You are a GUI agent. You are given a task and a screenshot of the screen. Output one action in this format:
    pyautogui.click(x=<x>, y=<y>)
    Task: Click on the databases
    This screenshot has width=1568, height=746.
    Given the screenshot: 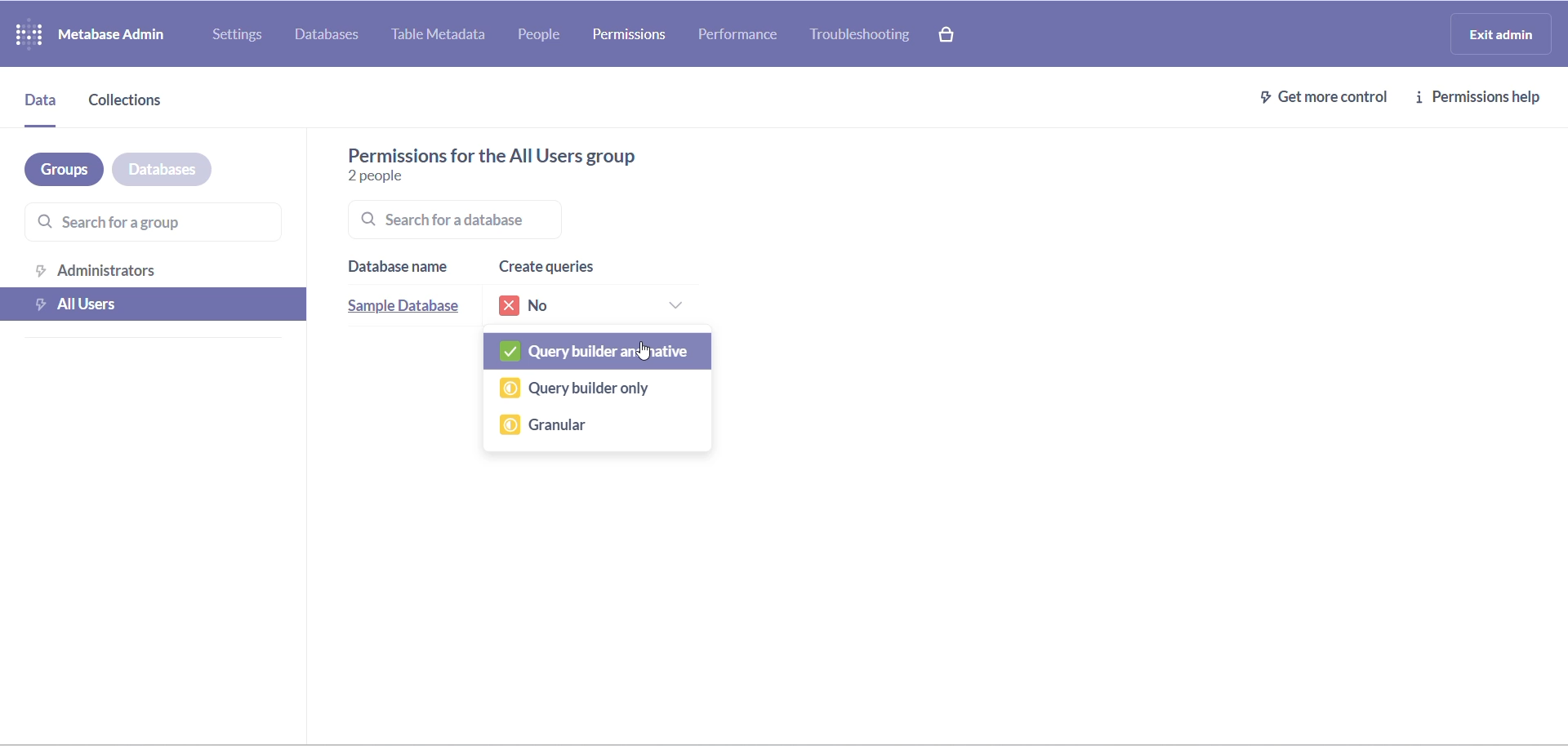 What is the action you would take?
    pyautogui.click(x=331, y=37)
    